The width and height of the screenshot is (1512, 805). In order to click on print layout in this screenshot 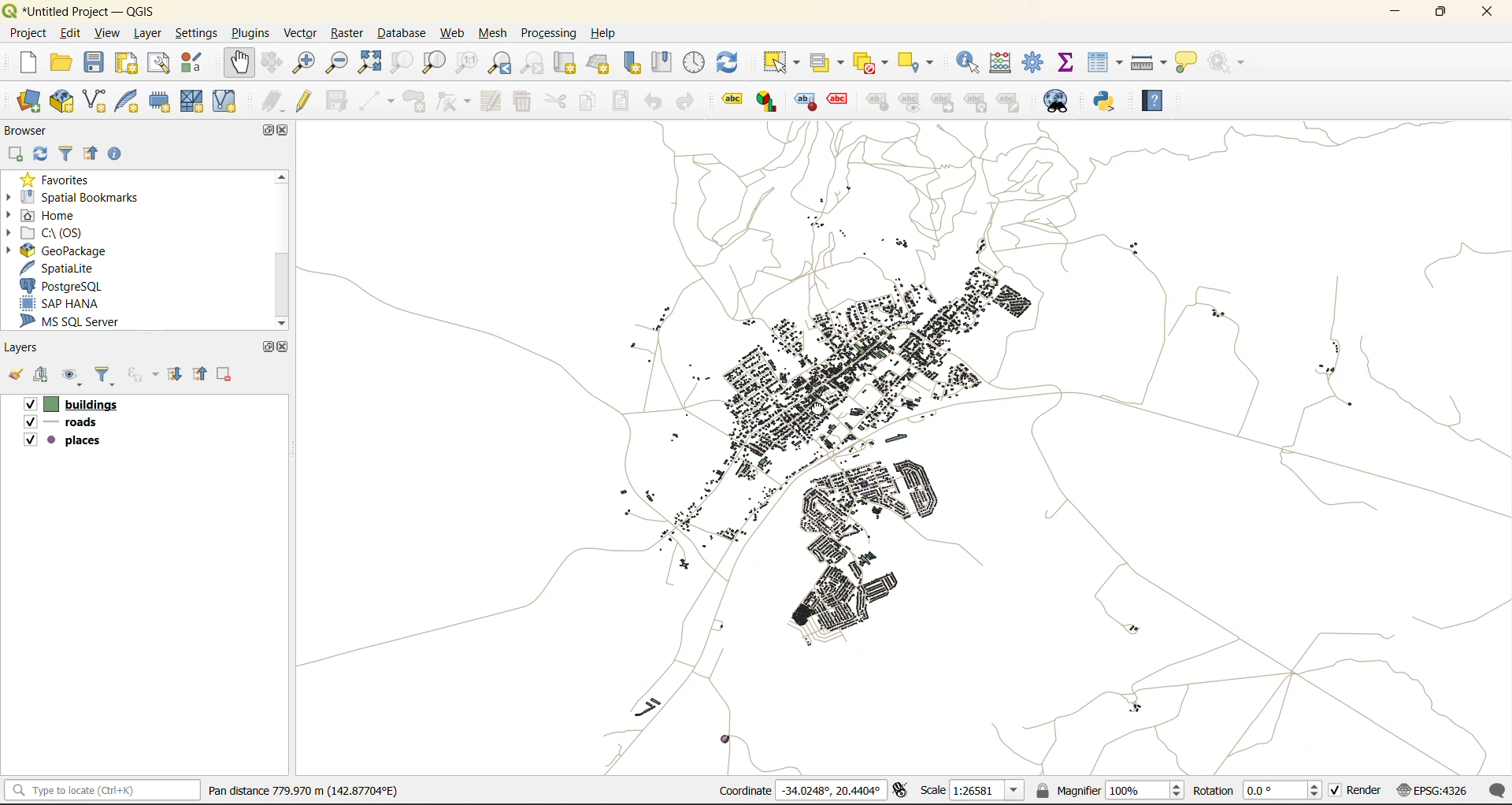, I will do `click(124, 63)`.